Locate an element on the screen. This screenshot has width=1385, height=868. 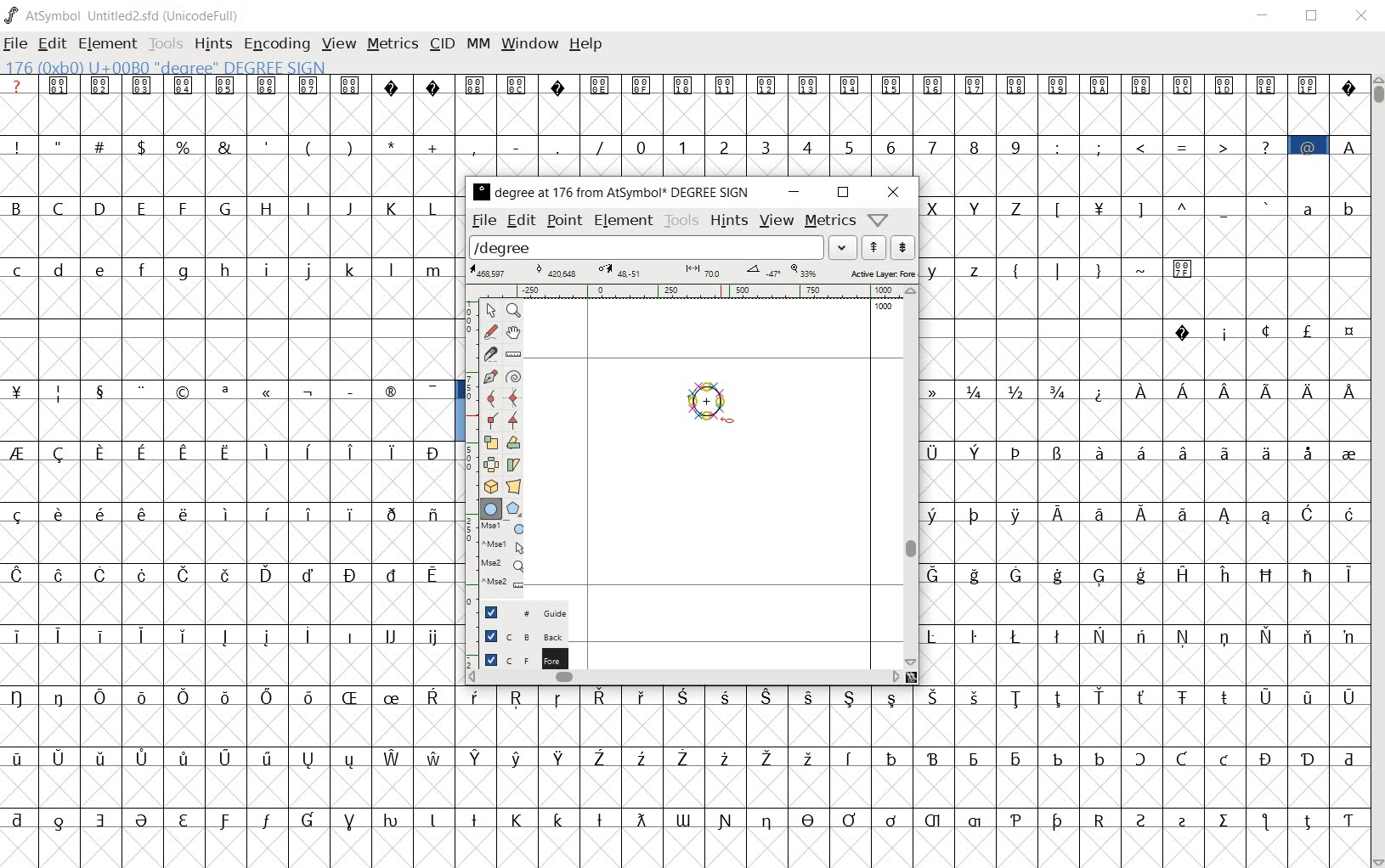
empty glyph slots is located at coordinates (232, 728).